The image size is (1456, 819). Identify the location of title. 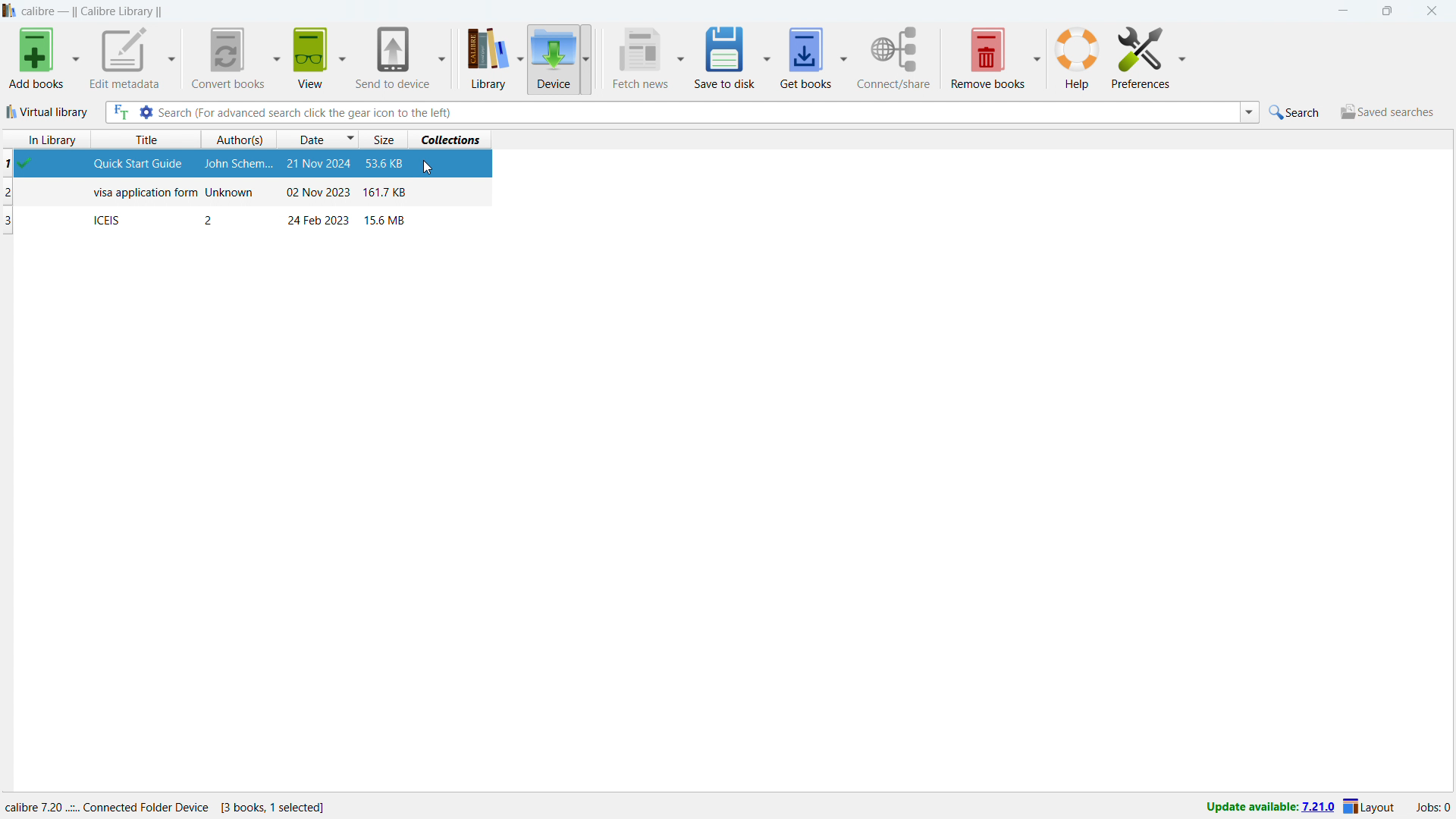
(93, 11).